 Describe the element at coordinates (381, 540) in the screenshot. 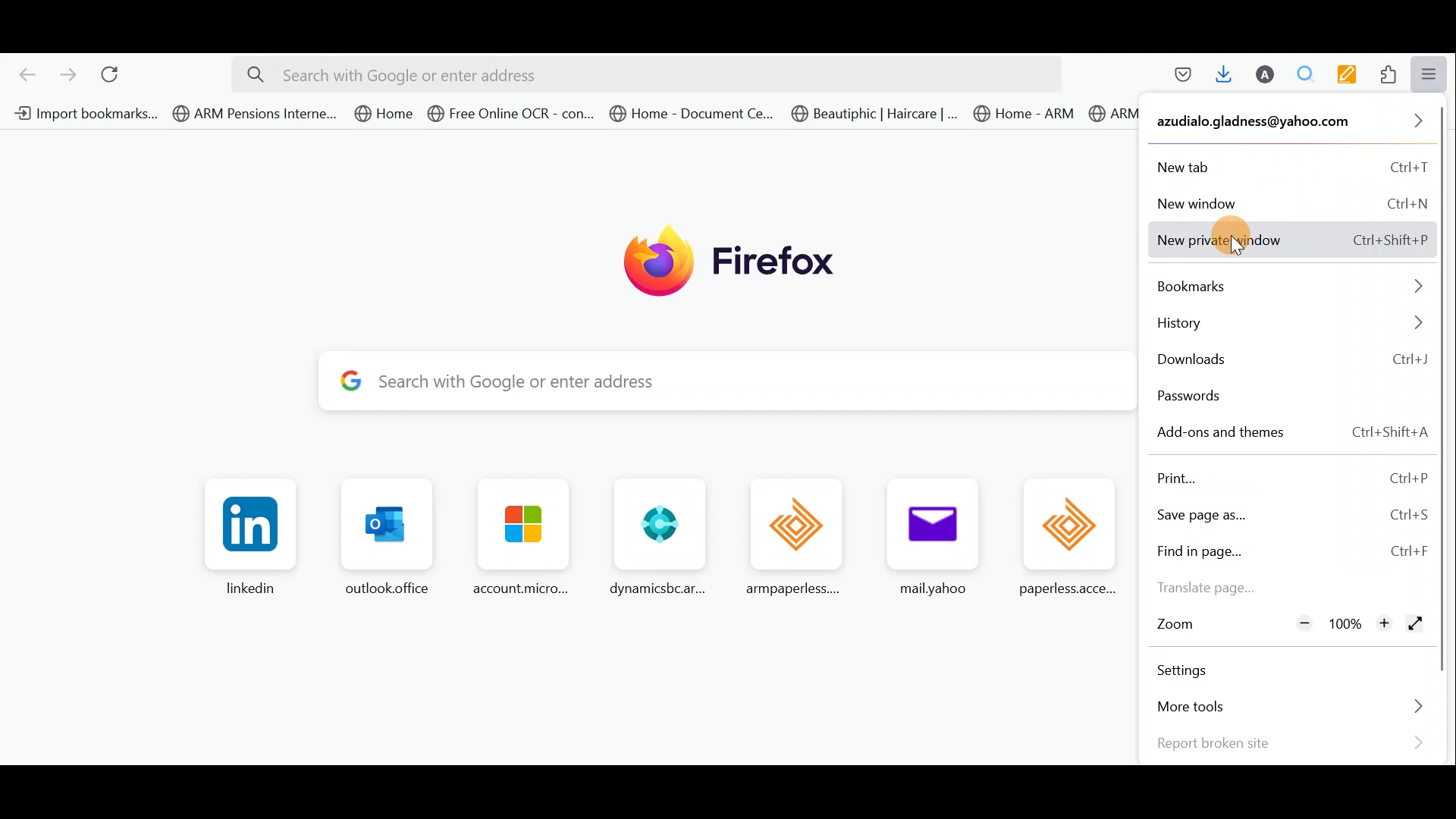

I see ` outlook office` at that location.